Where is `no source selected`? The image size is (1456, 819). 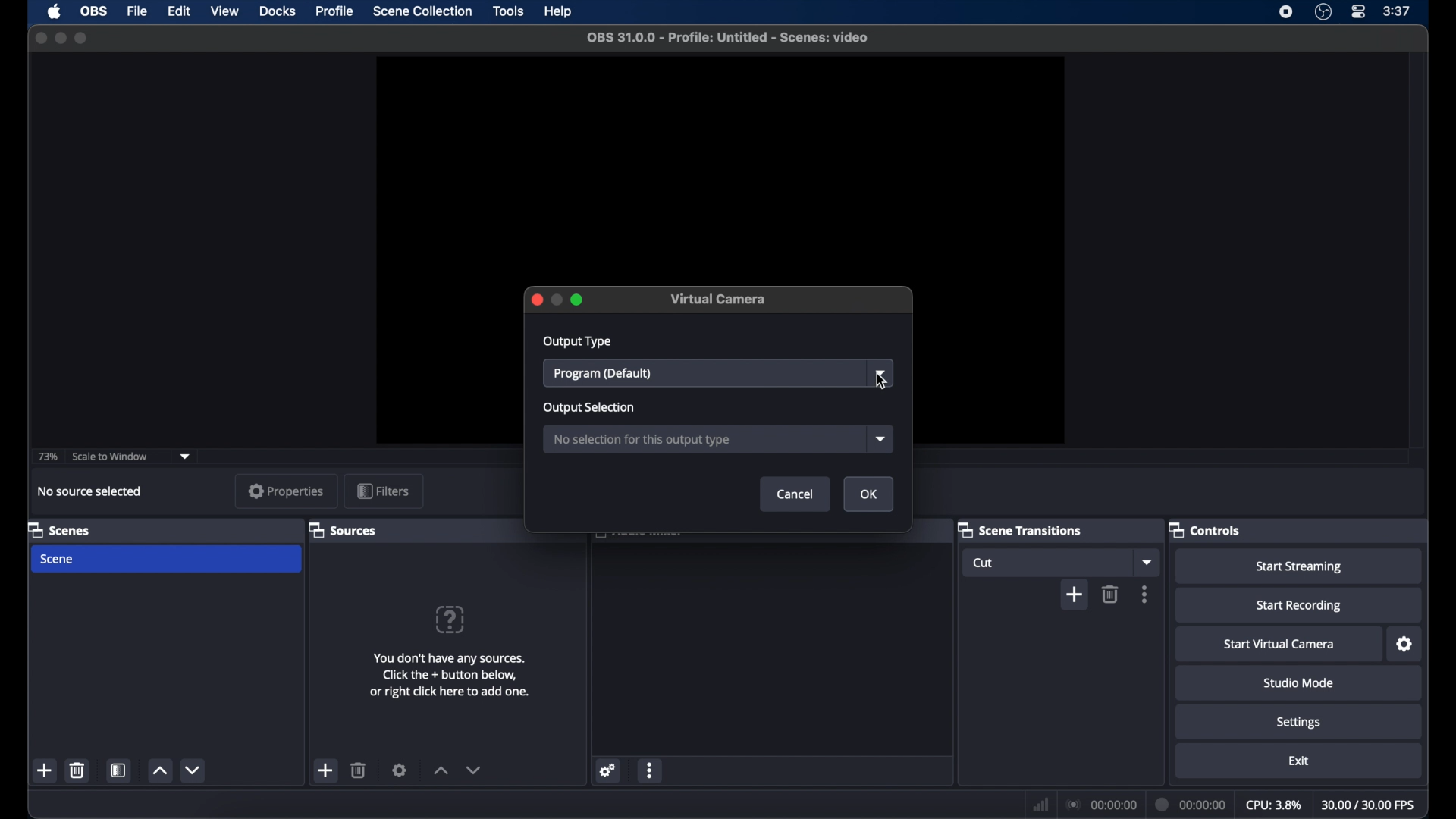 no source selected is located at coordinates (94, 491).